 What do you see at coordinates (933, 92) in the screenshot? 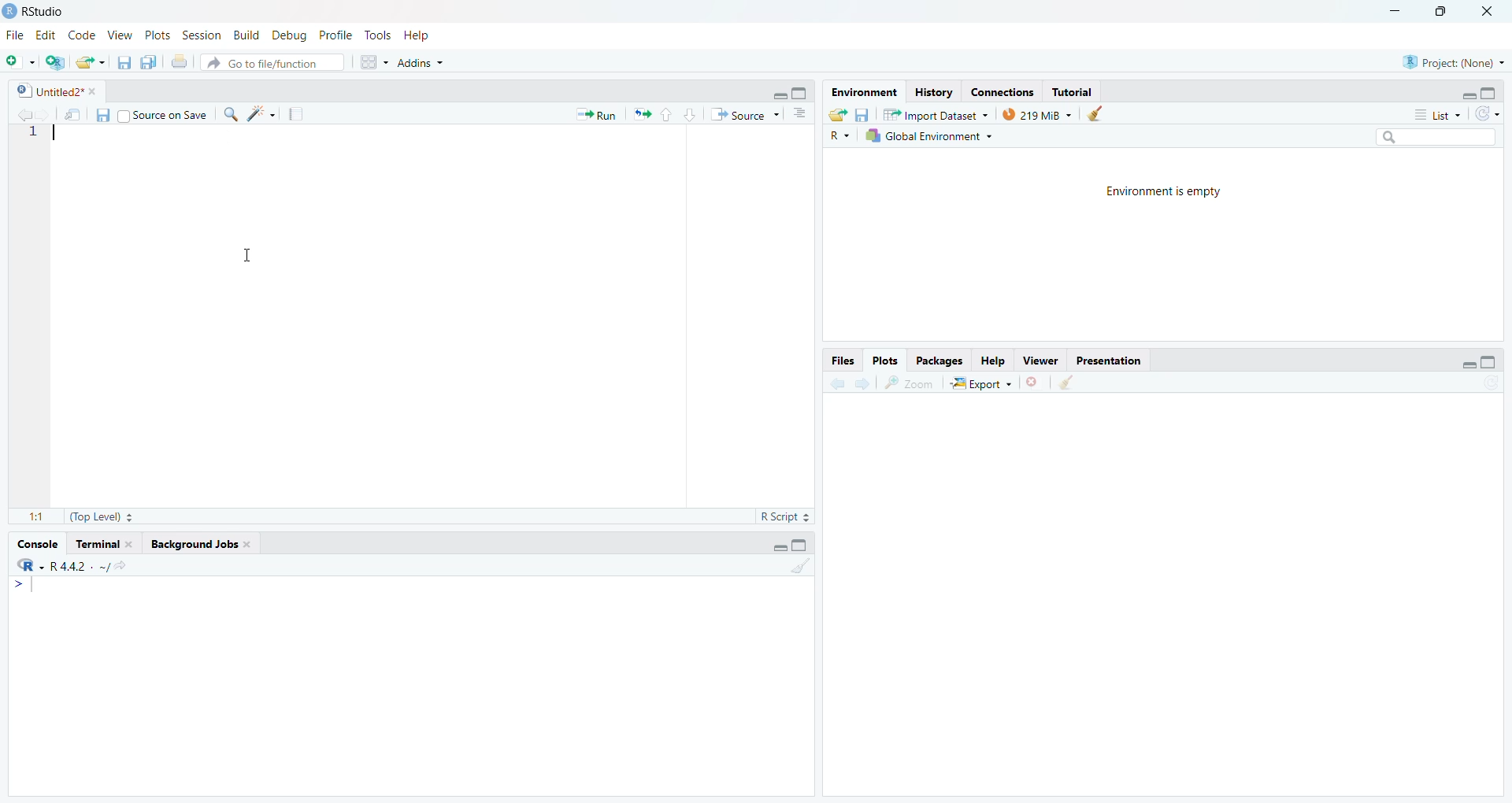
I see `History` at bounding box center [933, 92].